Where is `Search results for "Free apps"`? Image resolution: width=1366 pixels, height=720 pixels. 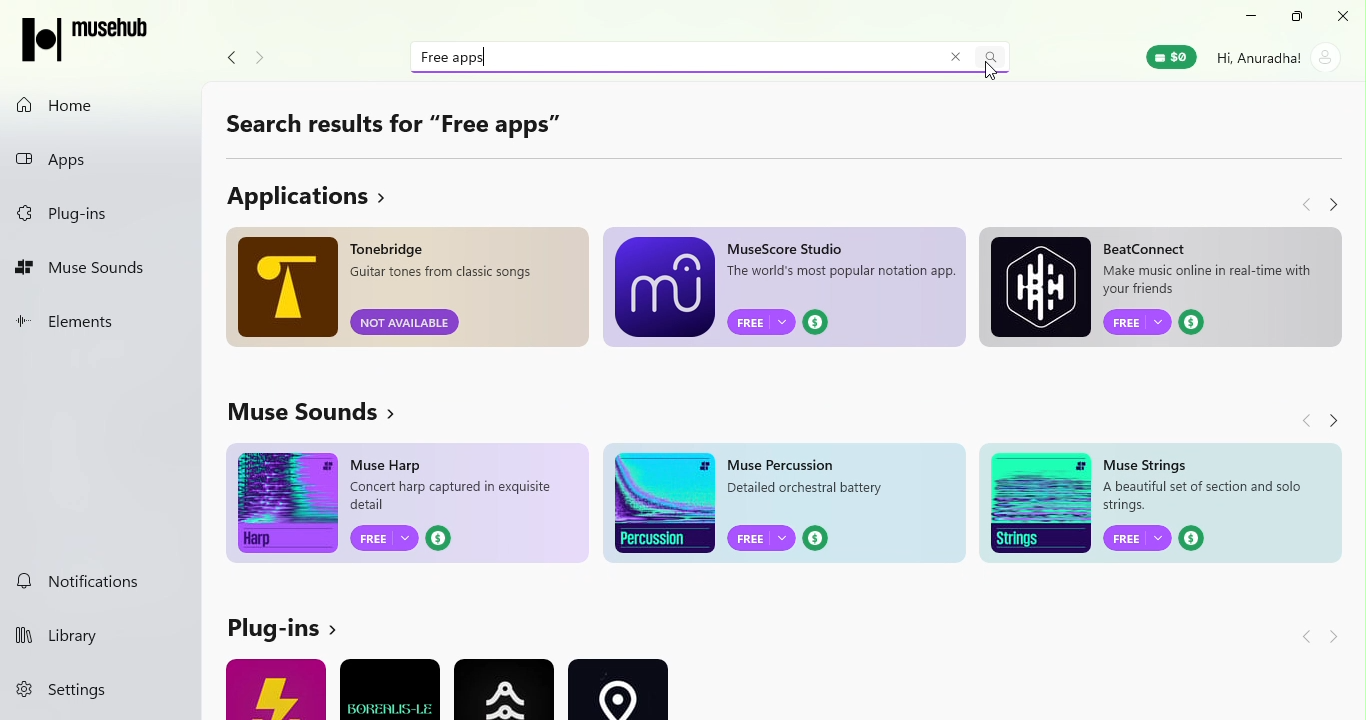 Search results for "Free apps" is located at coordinates (403, 125).